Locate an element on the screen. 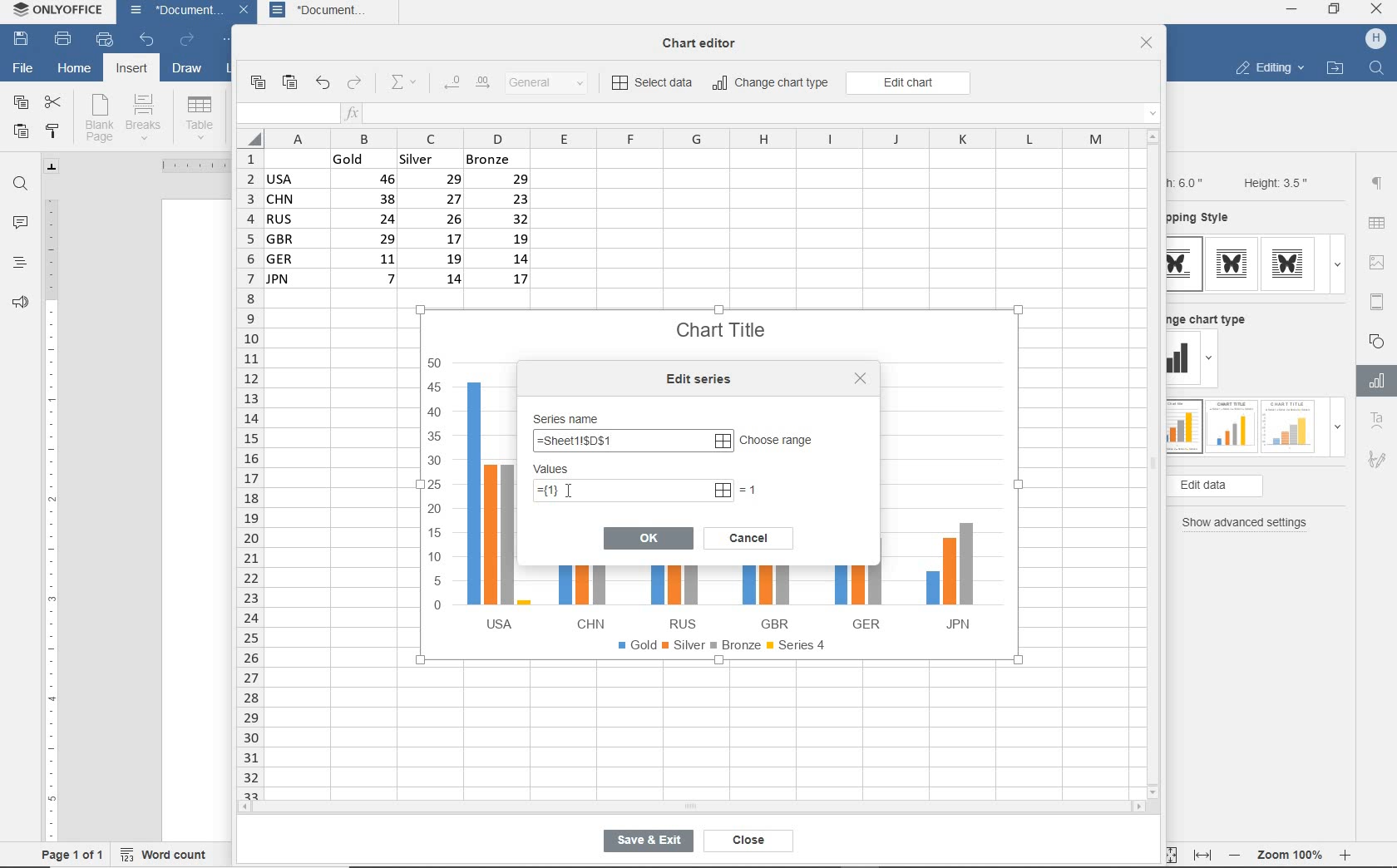 This screenshot has height=868, width=1397. save & exit is located at coordinates (645, 844).